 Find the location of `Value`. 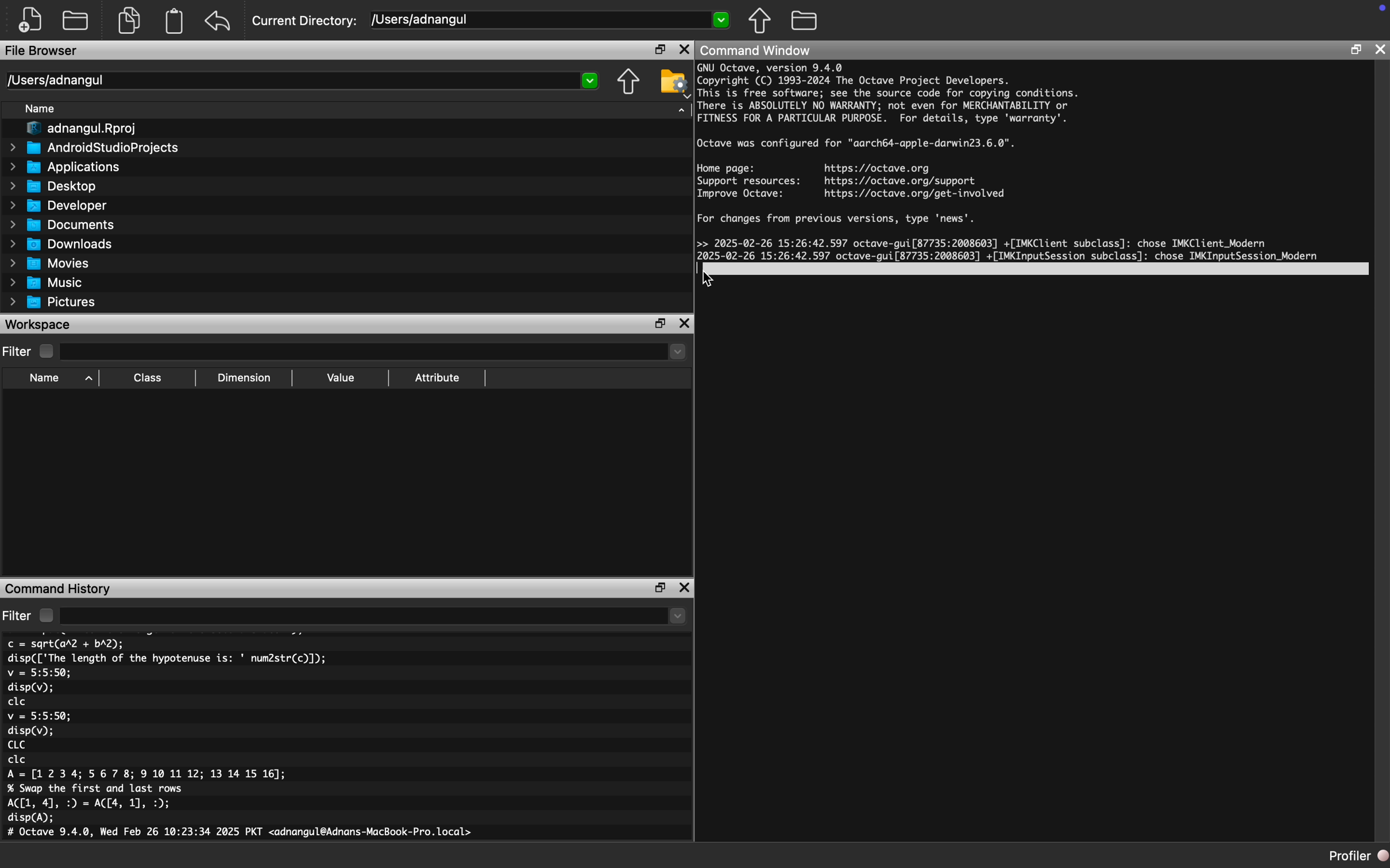

Value is located at coordinates (339, 378).